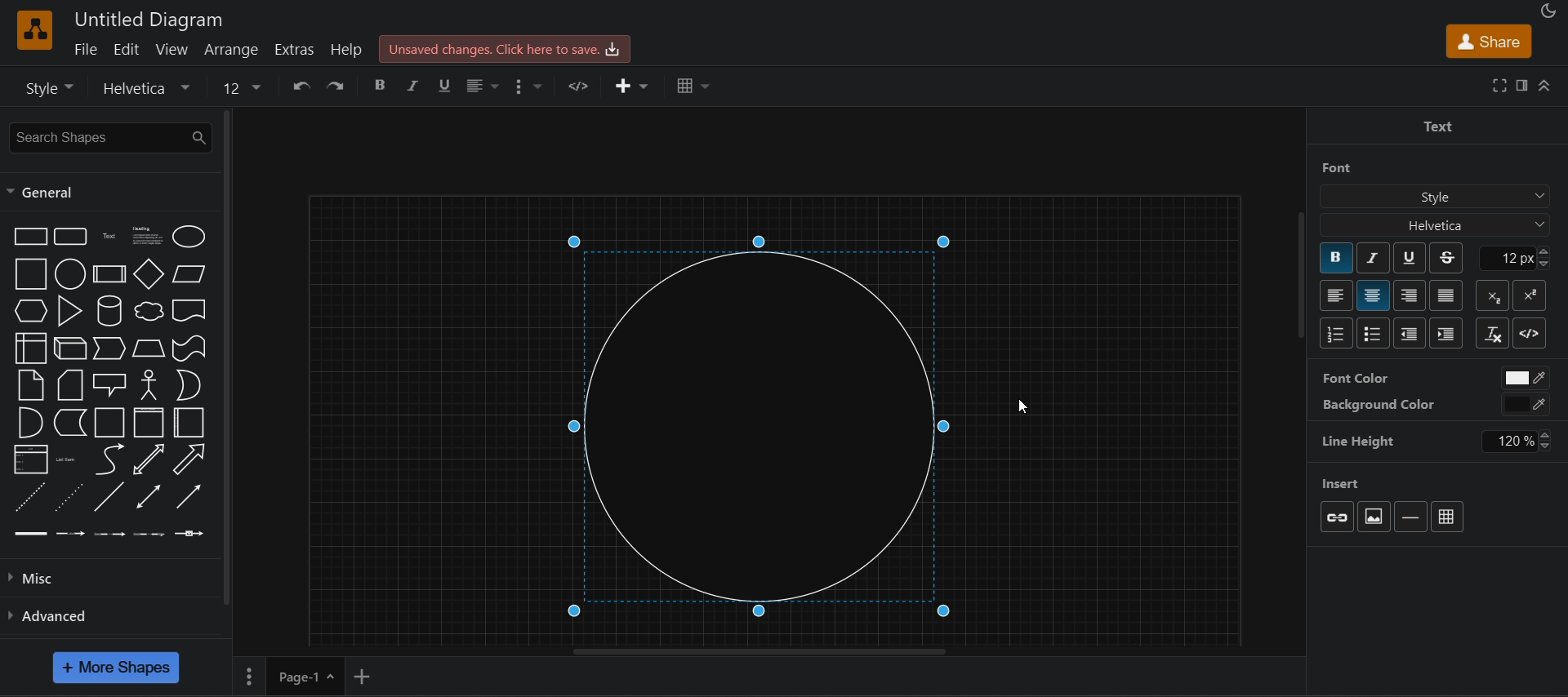 This screenshot has width=1568, height=697. I want to click on bidirectional arrow, so click(148, 459).